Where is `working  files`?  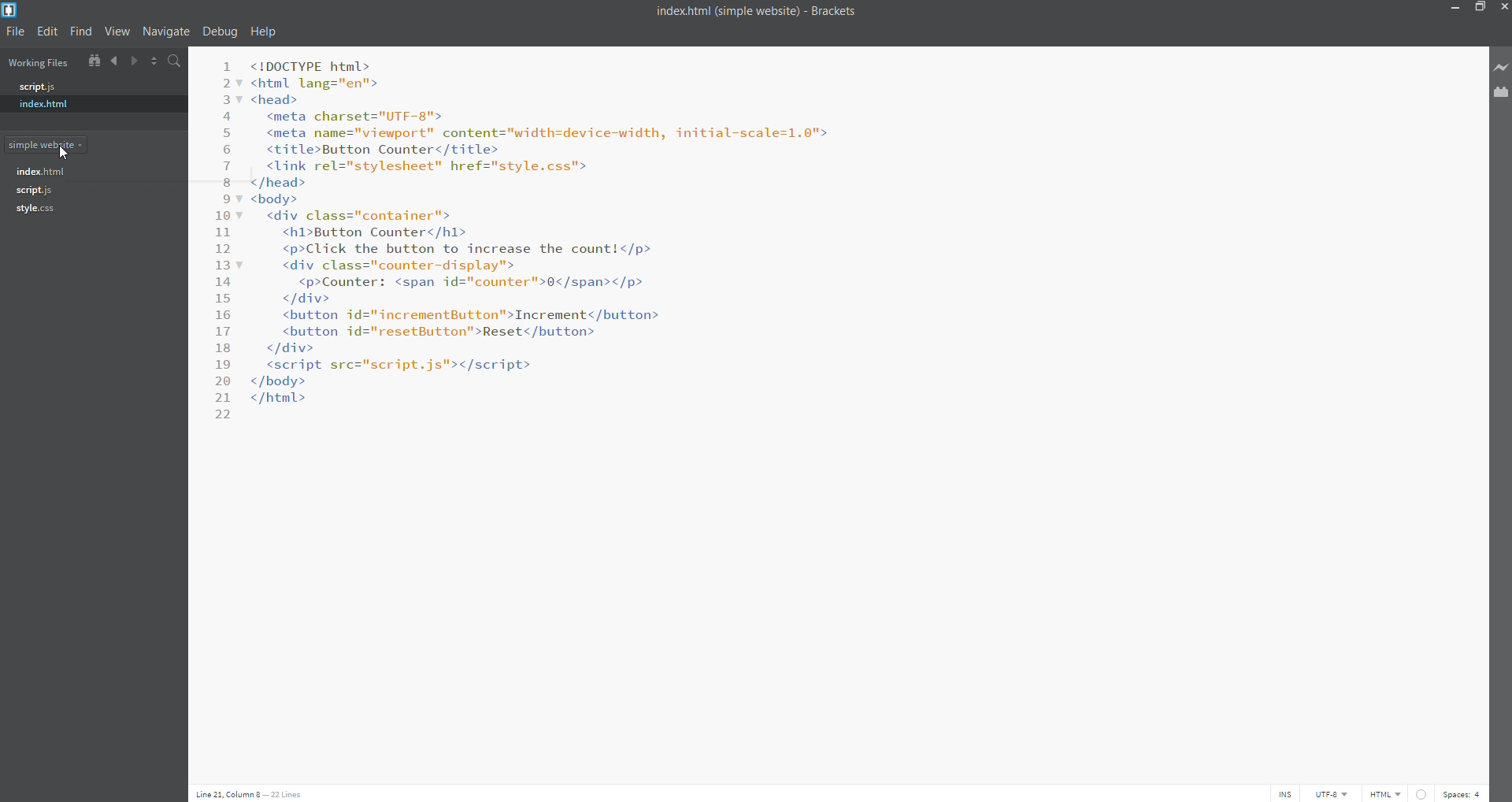 working  files is located at coordinates (41, 61).